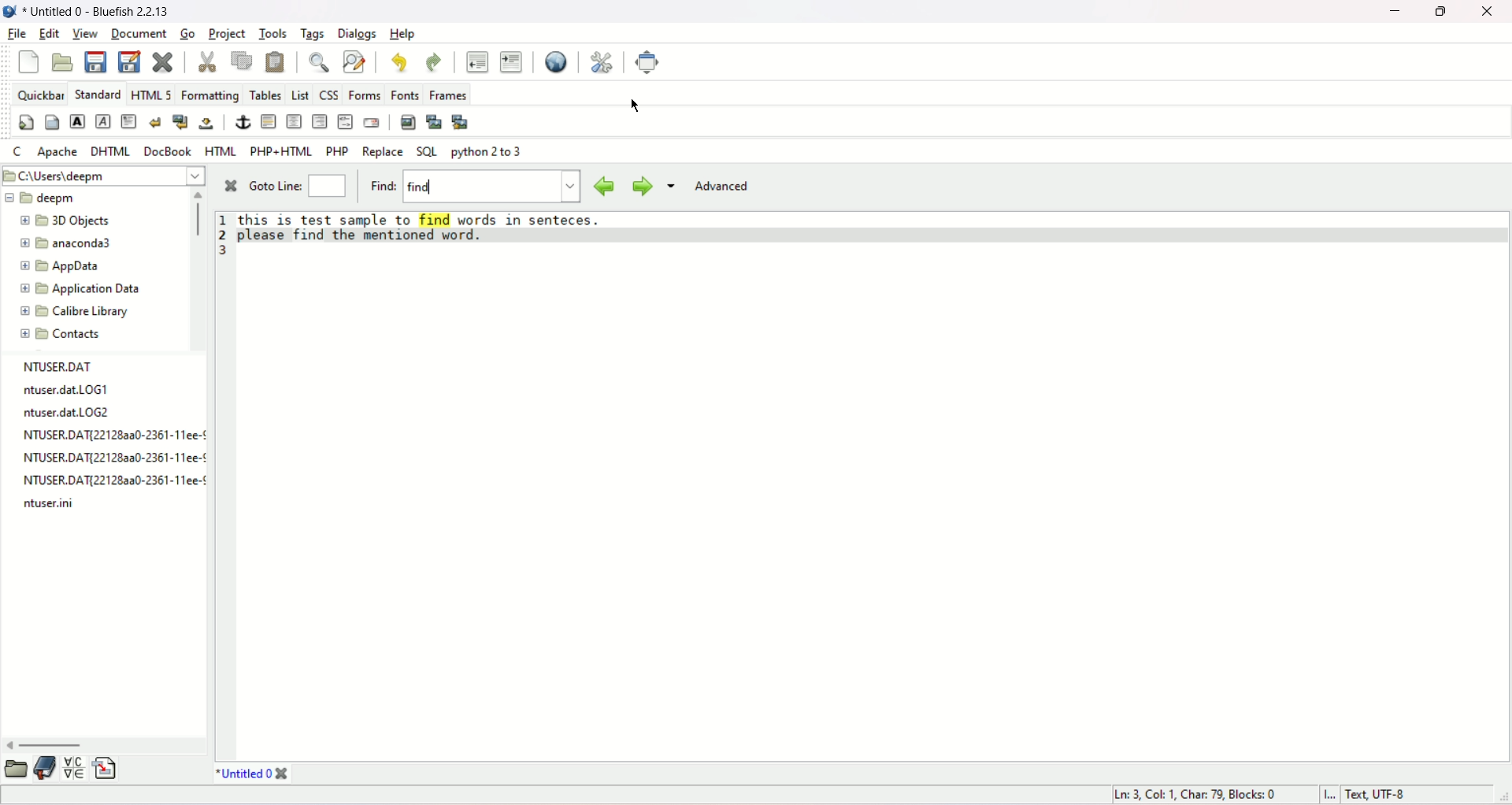 This screenshot has width=1512, height=805. What do you see at coordinates (63, 391) in the screenshot?
I see `ntuser.dat.LOG1` at bounding box center [63, 391].